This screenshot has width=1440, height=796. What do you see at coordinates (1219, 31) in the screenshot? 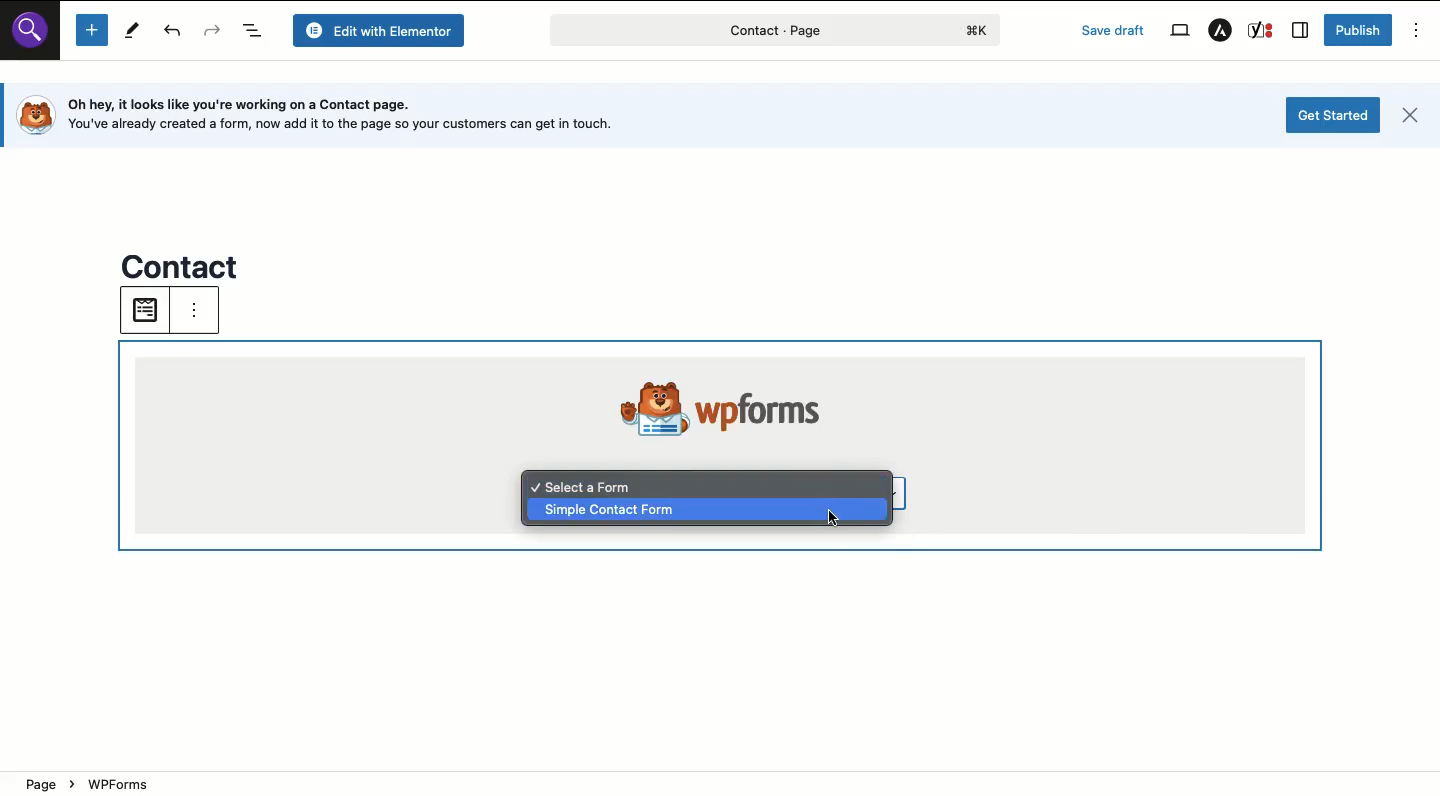
I see `Astra` at bounding box center [1219, 31].